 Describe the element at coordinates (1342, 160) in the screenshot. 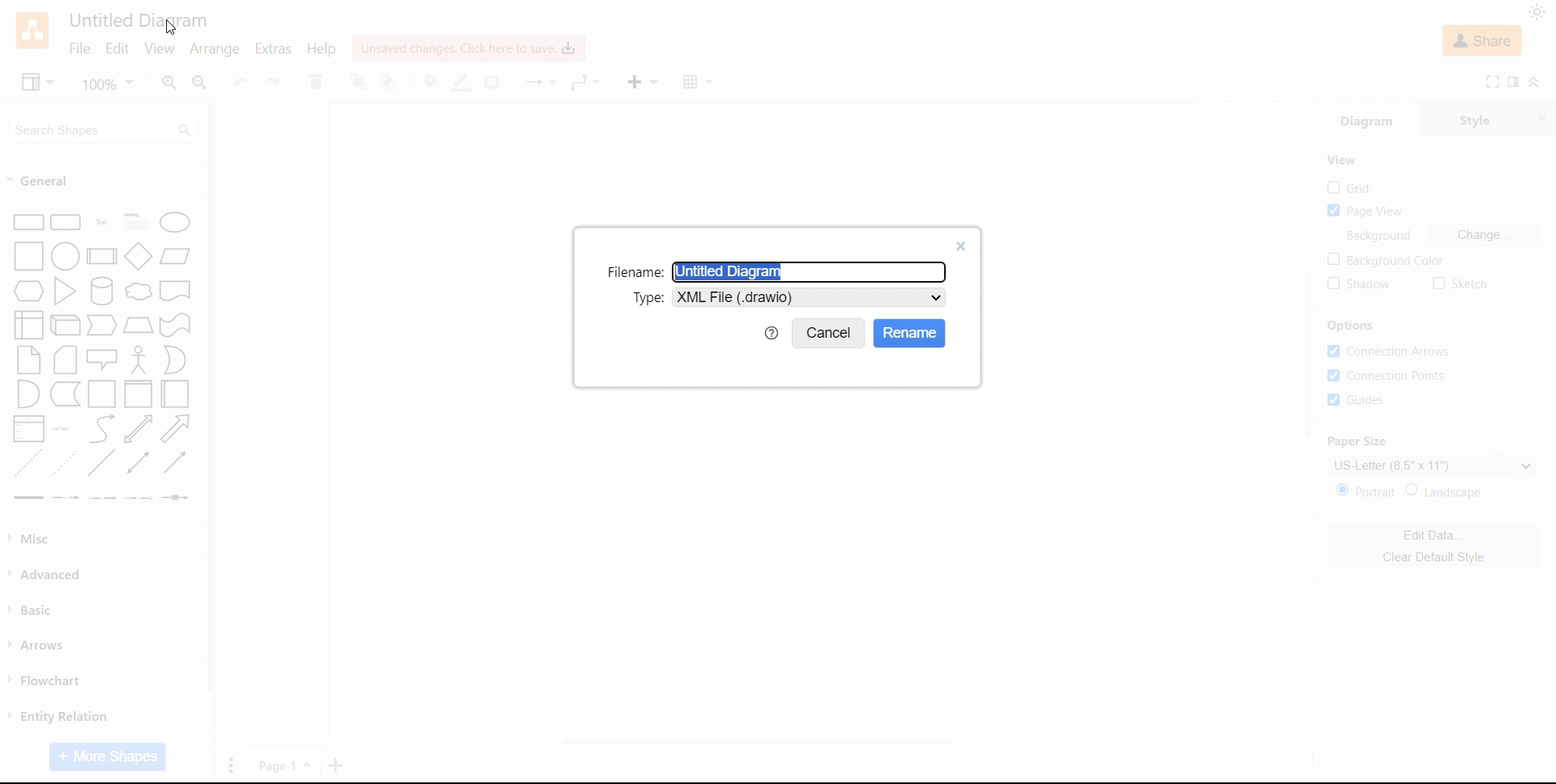

I see `view ` at that location.